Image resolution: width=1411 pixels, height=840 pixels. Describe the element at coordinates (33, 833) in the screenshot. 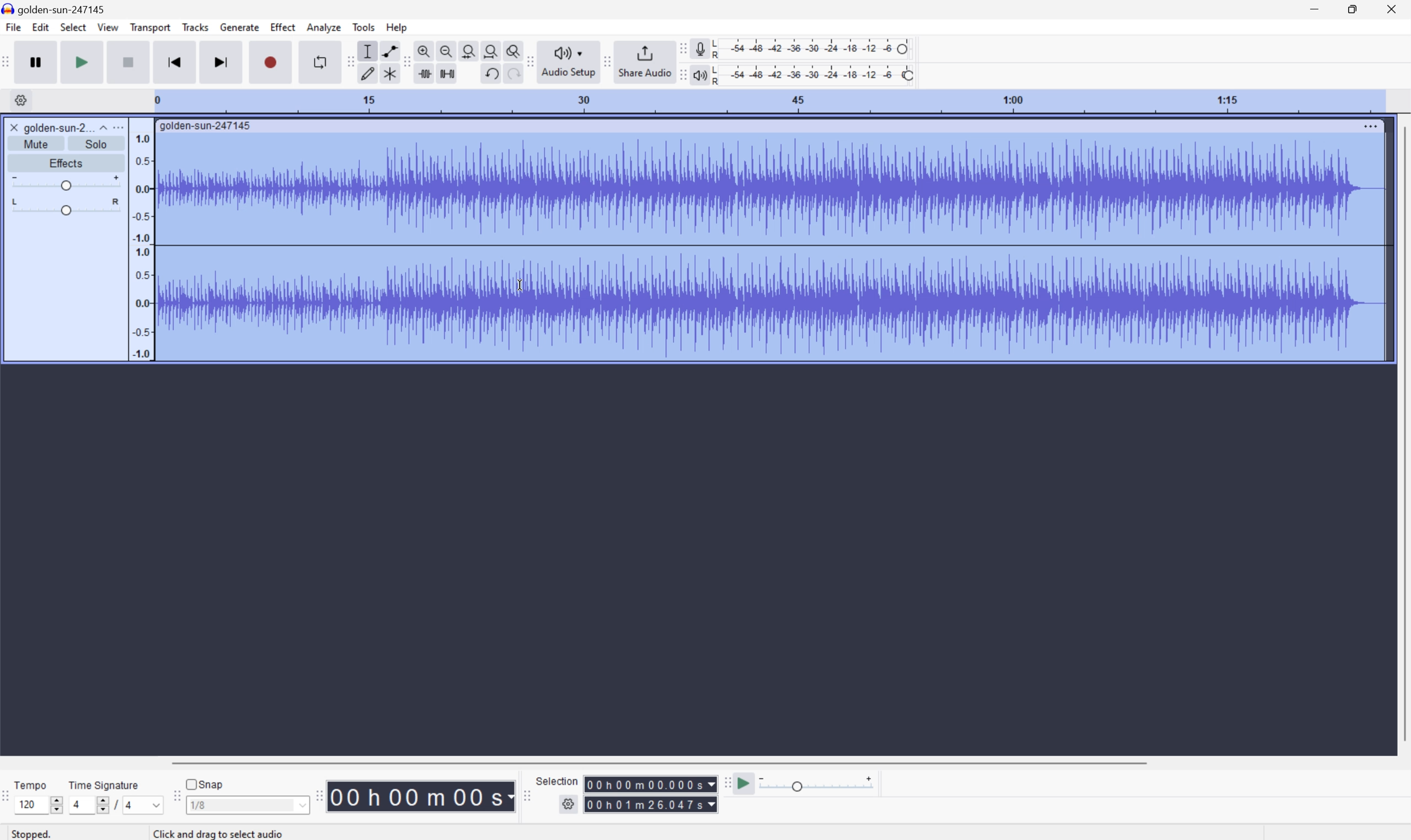

I see `Stopped` at that location.